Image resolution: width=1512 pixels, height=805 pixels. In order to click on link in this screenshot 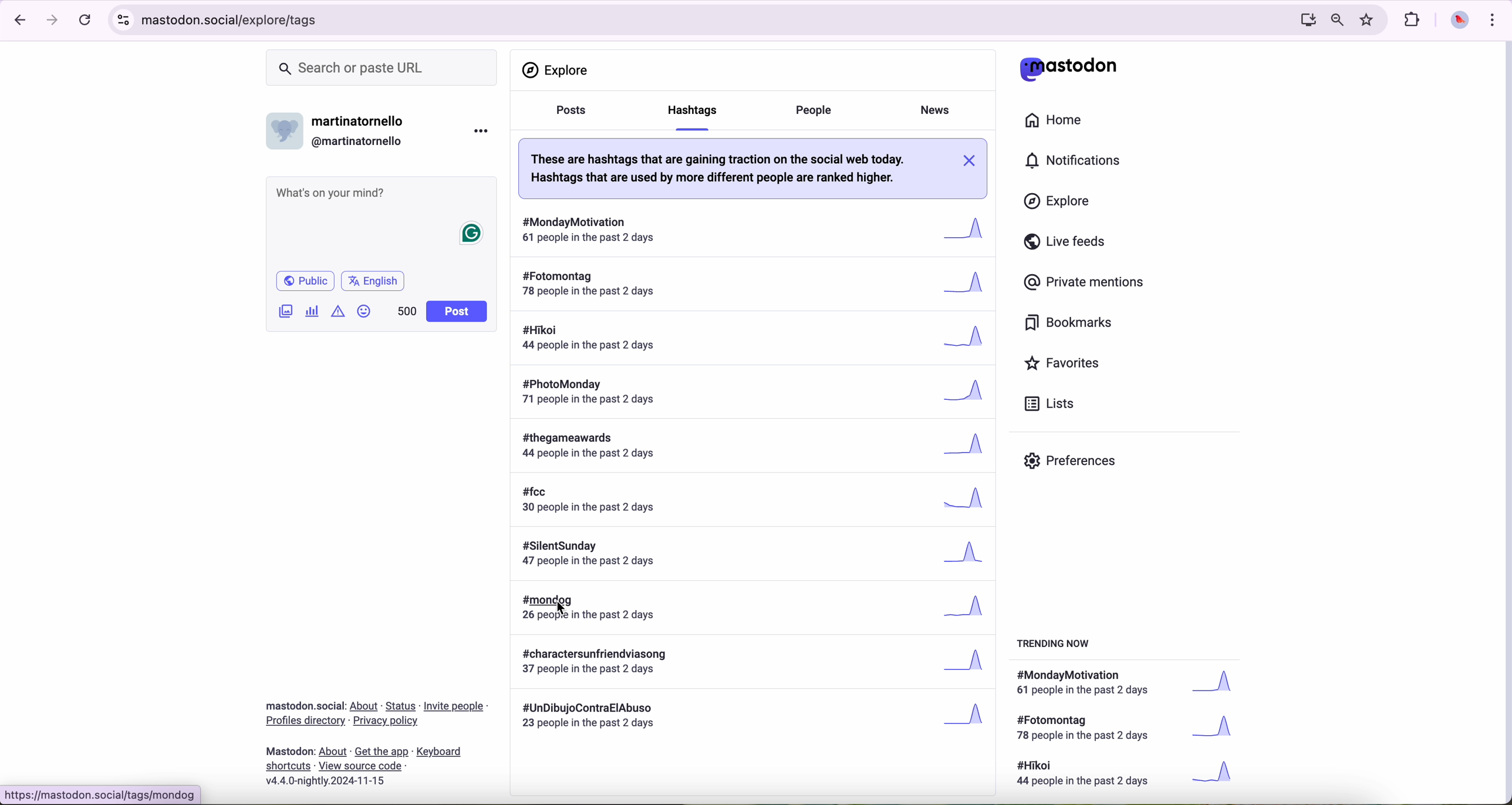, I will do `click(387, 720)`.